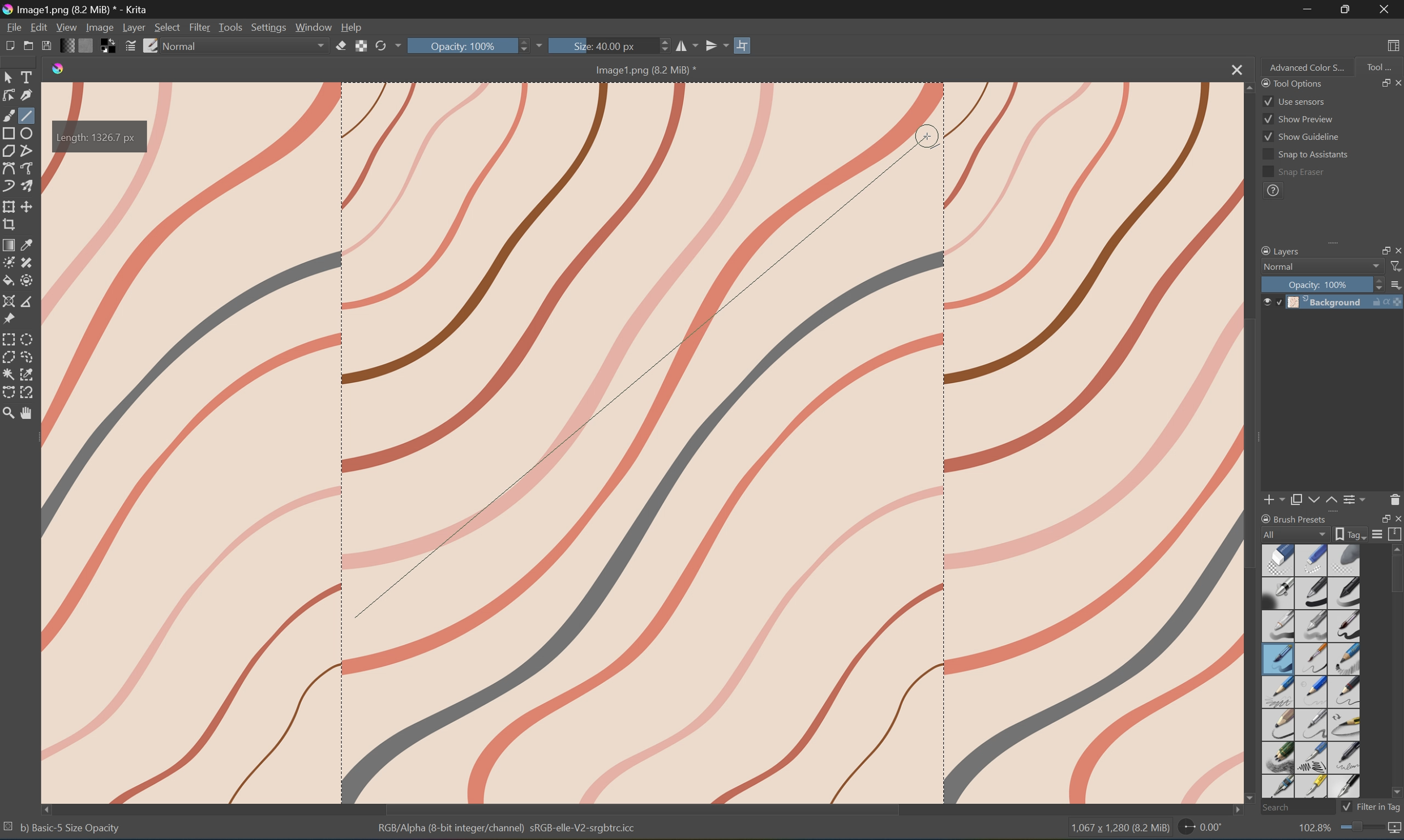 The image size is (1404, 840). I want to click on Slider, so click(661, 46).